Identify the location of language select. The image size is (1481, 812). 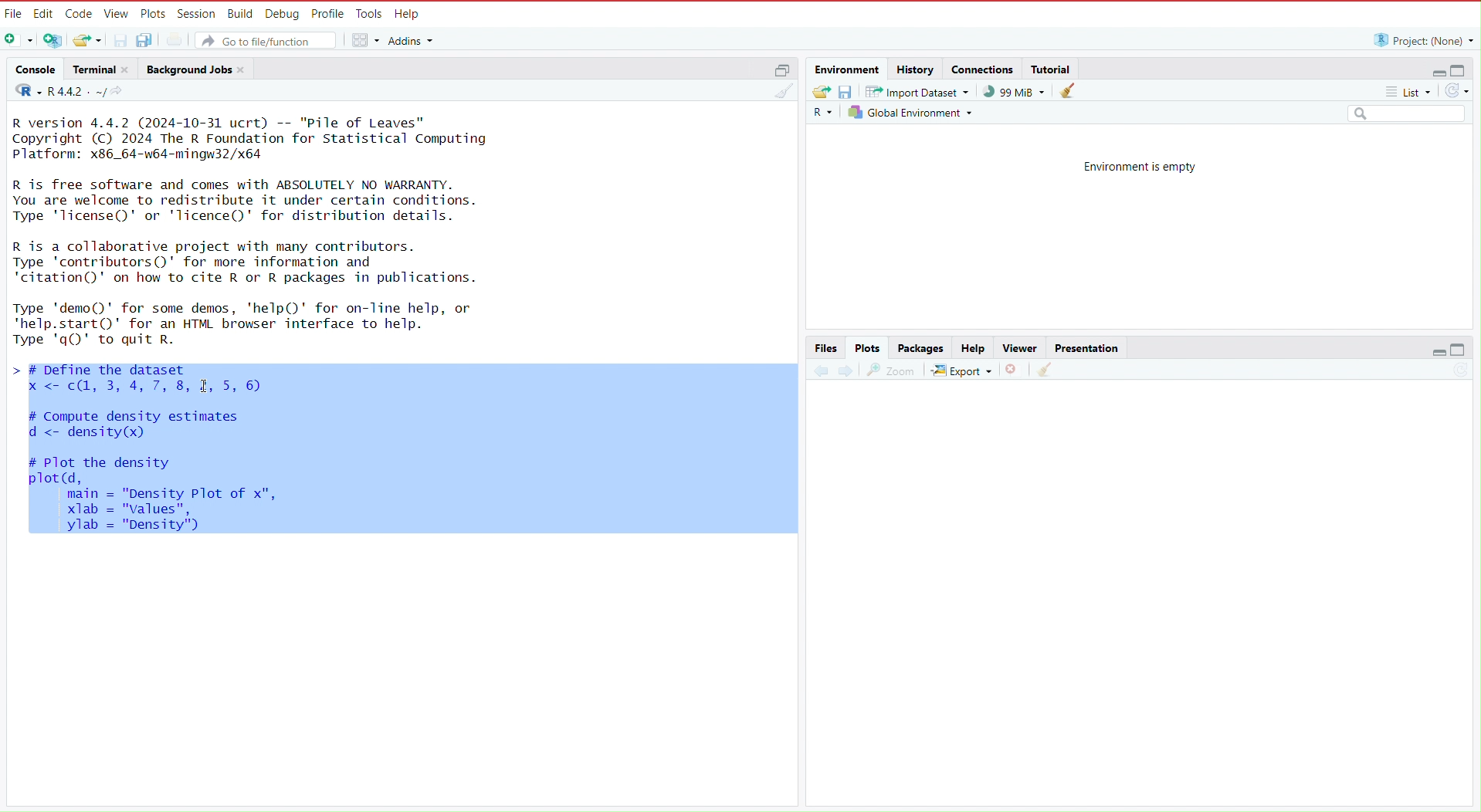
(22, 92).